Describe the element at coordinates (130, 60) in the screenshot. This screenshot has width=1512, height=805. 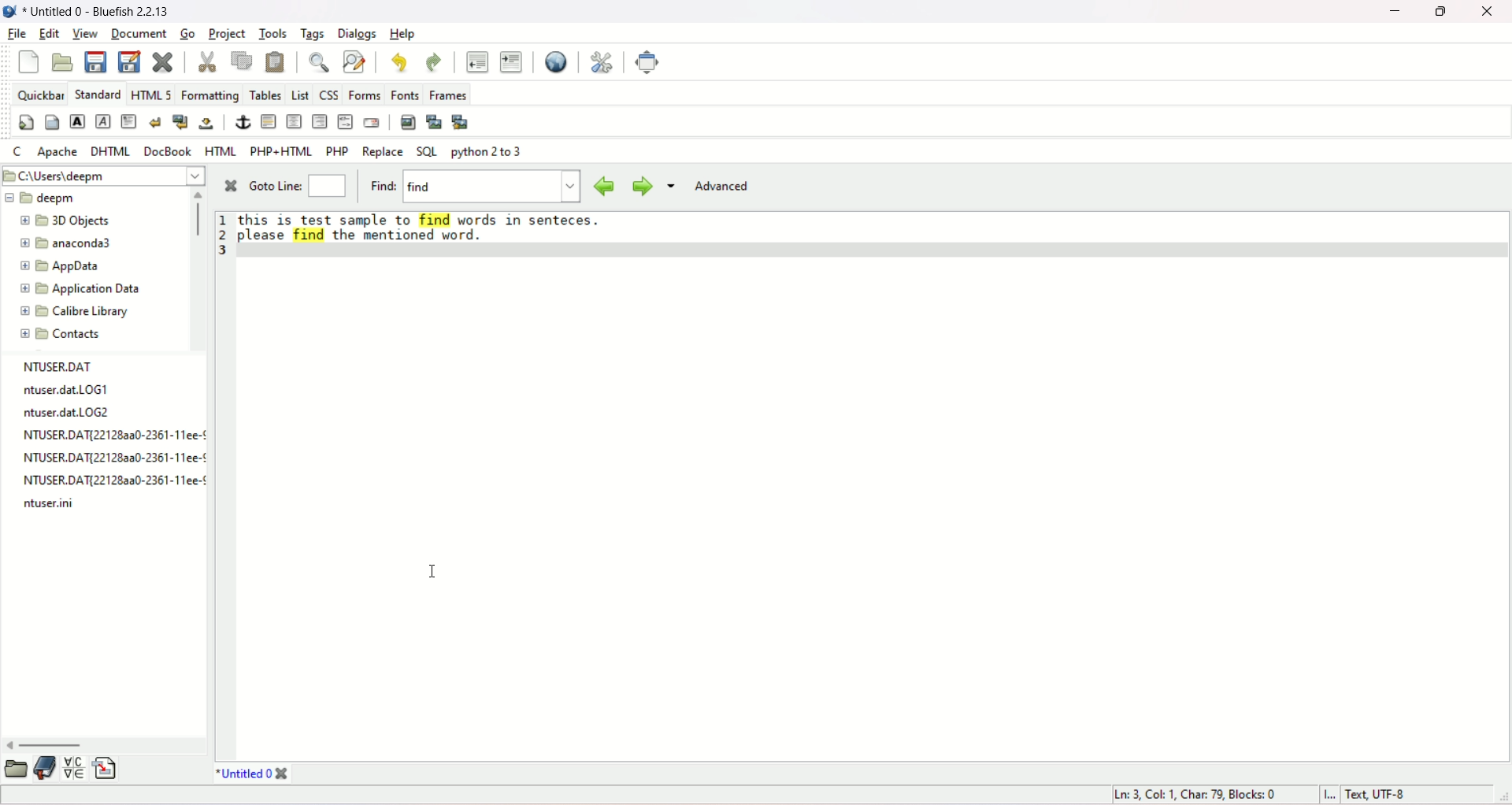
I see `save as` at that location.